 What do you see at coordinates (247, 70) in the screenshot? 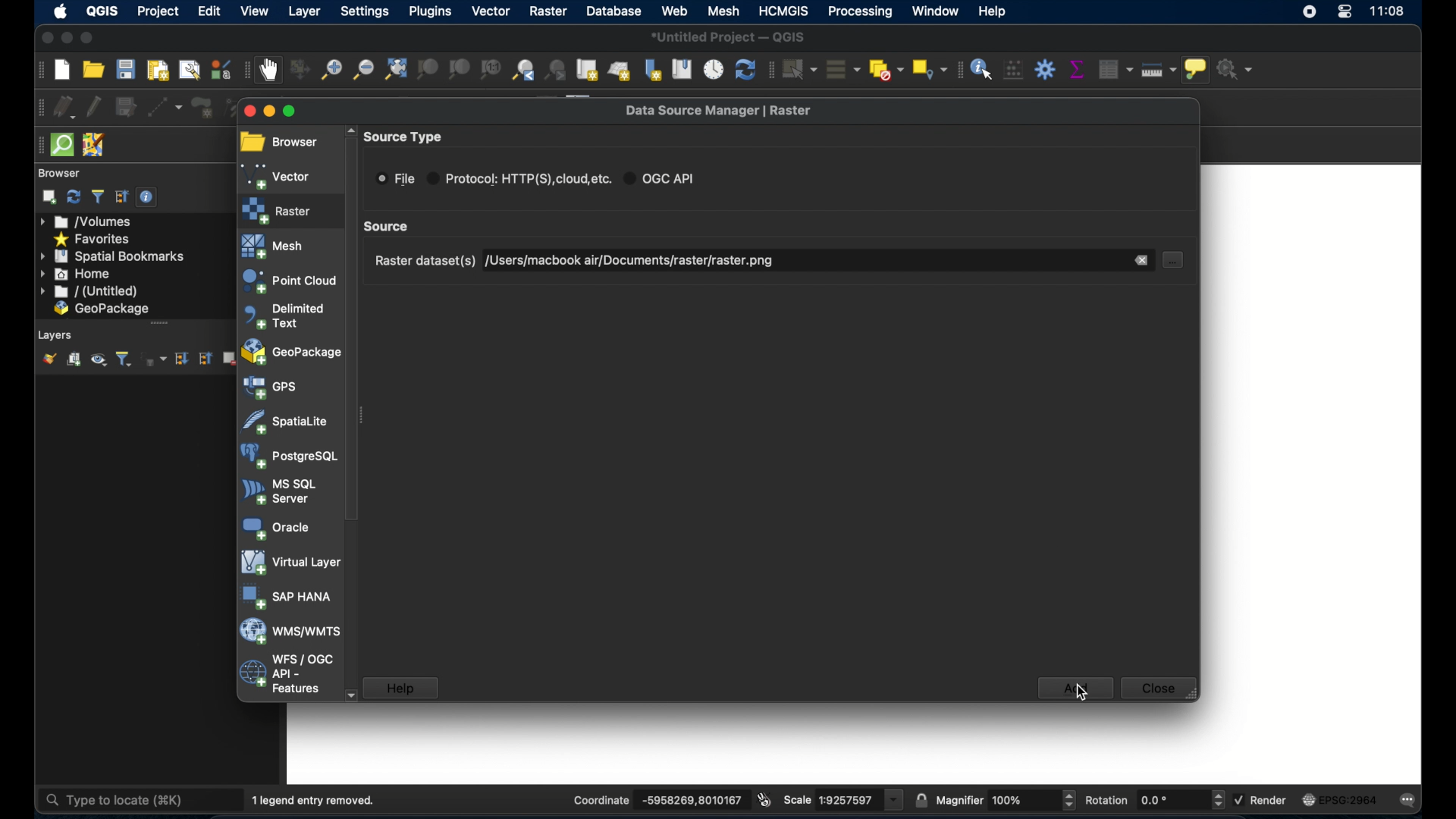
I see `map navigation toolbar` at bounding box center [247, 70].